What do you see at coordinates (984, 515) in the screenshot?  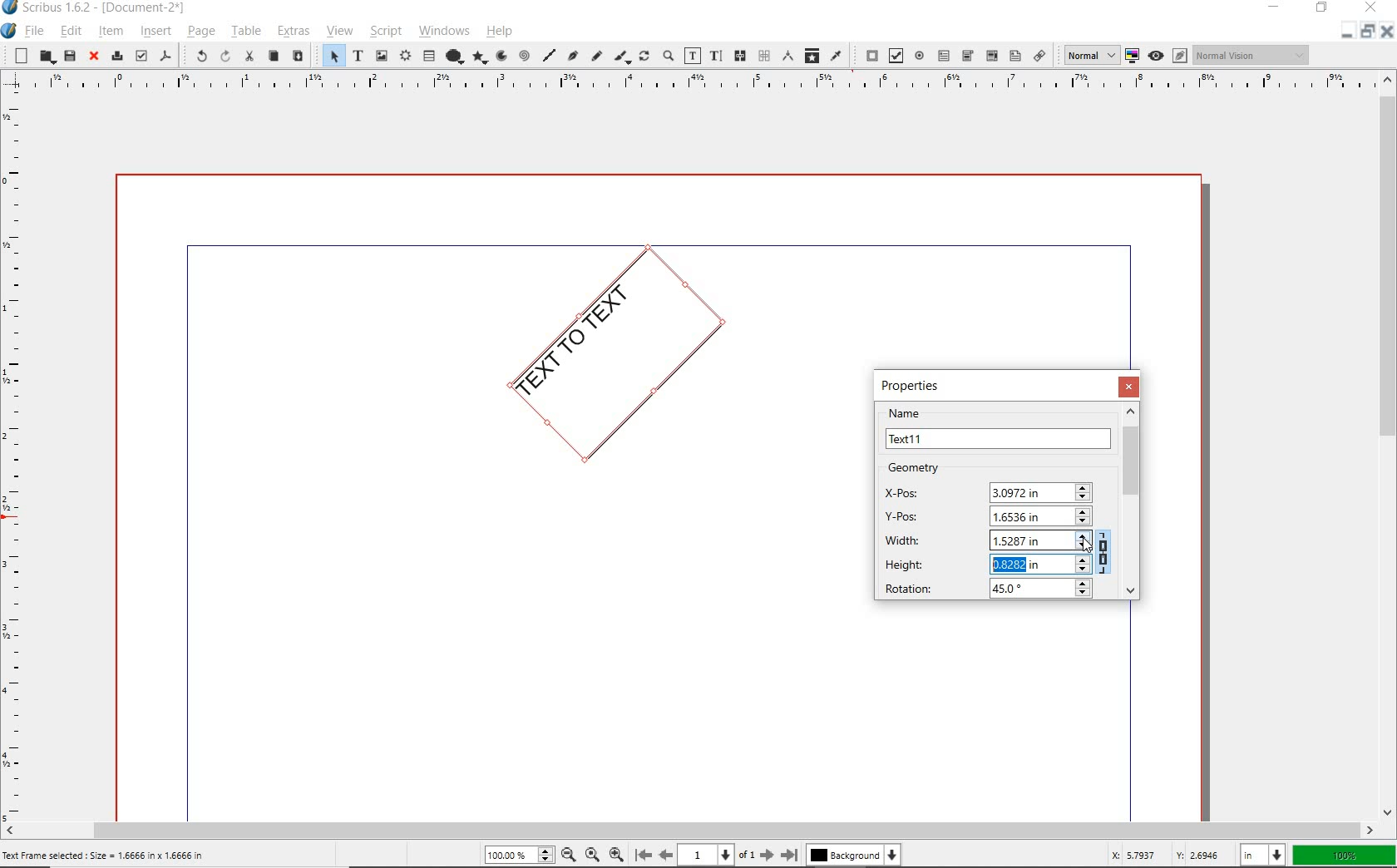 I see `Y-POS` at bounding box center [984, 515].